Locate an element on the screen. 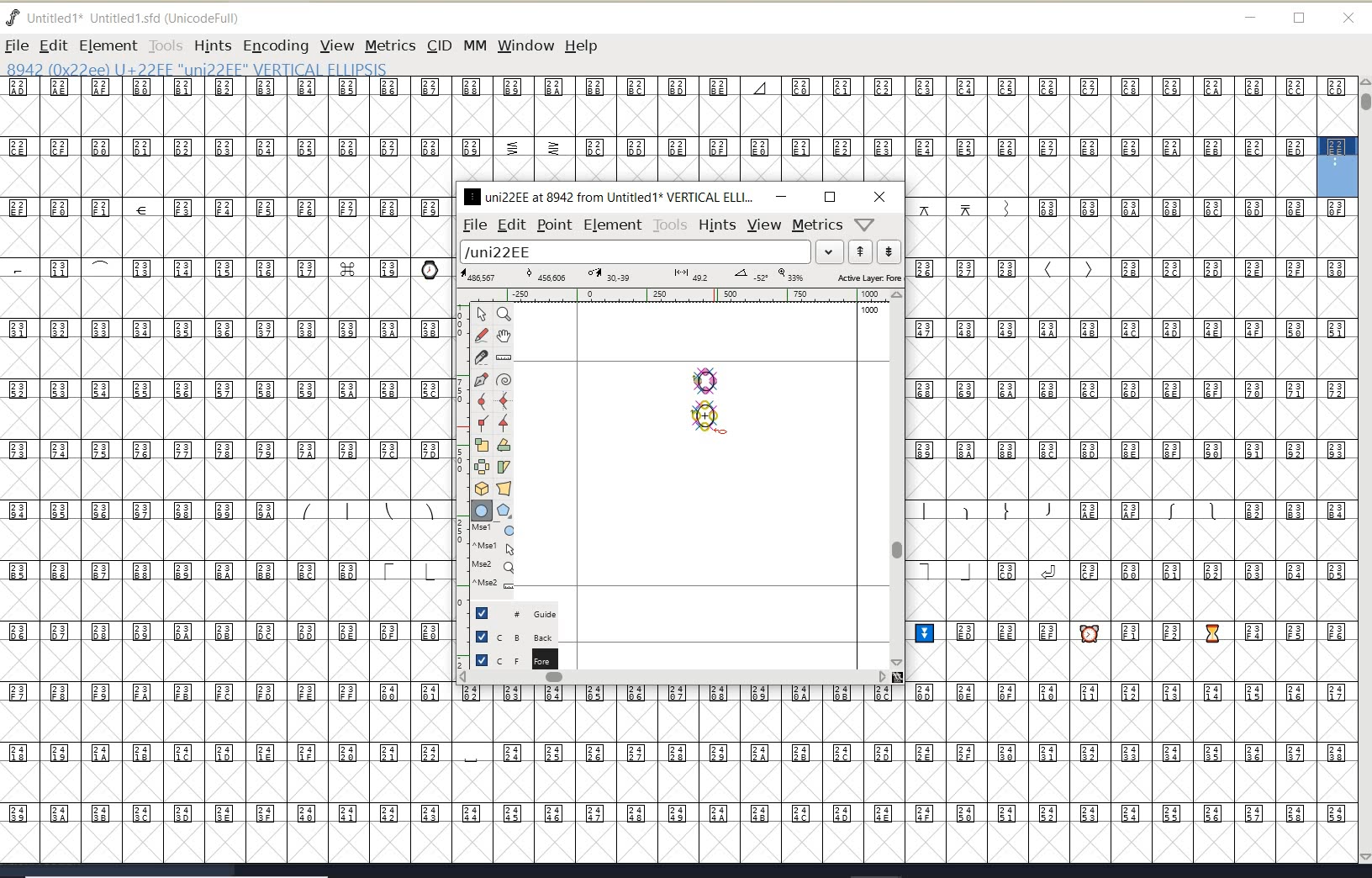  minimize is located at coordinates (1251, 18).